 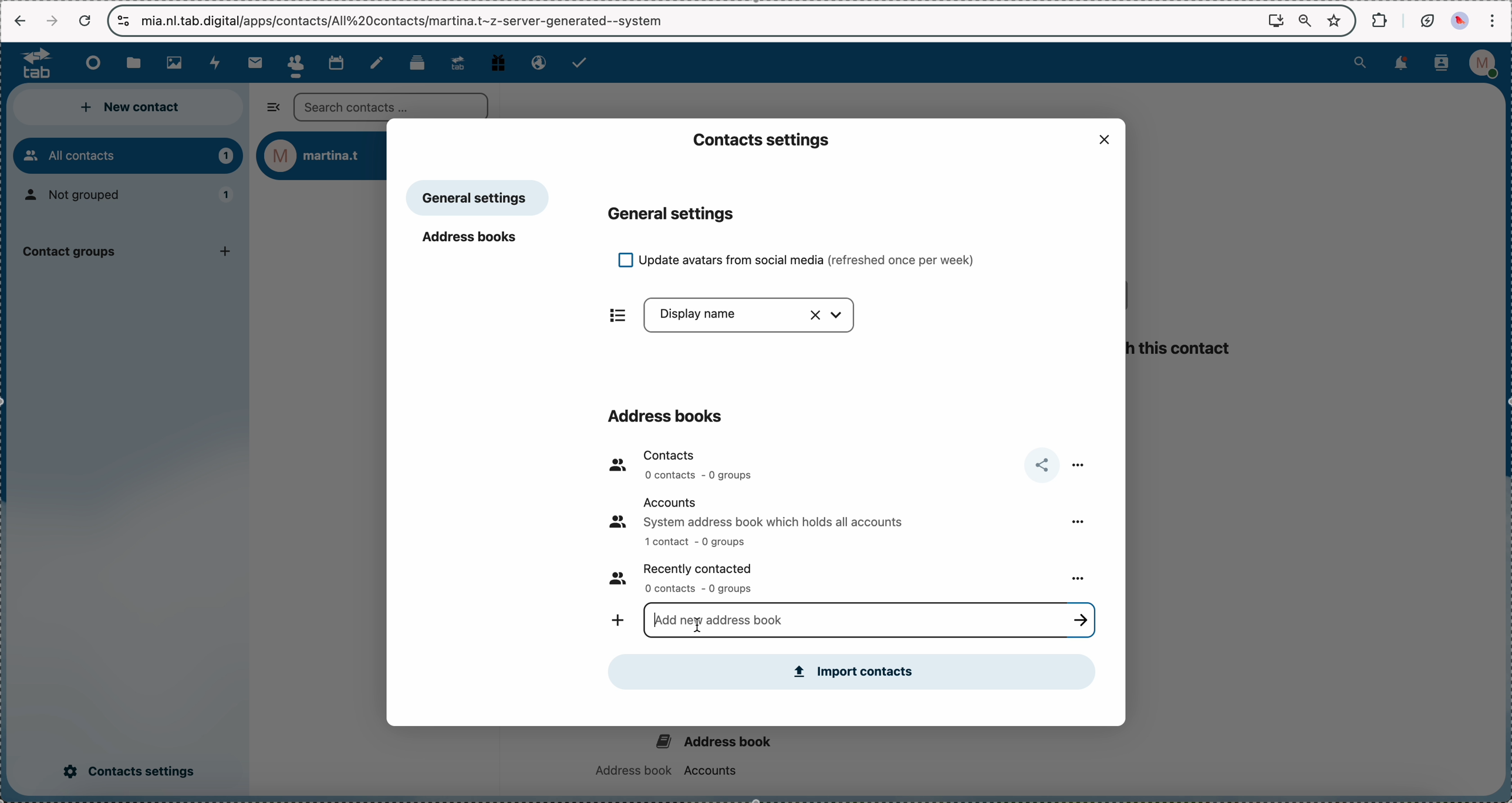 What do you see at coordinates (682, 751) in the screenshot?
I see `address book` at bounding box center [682, 751].